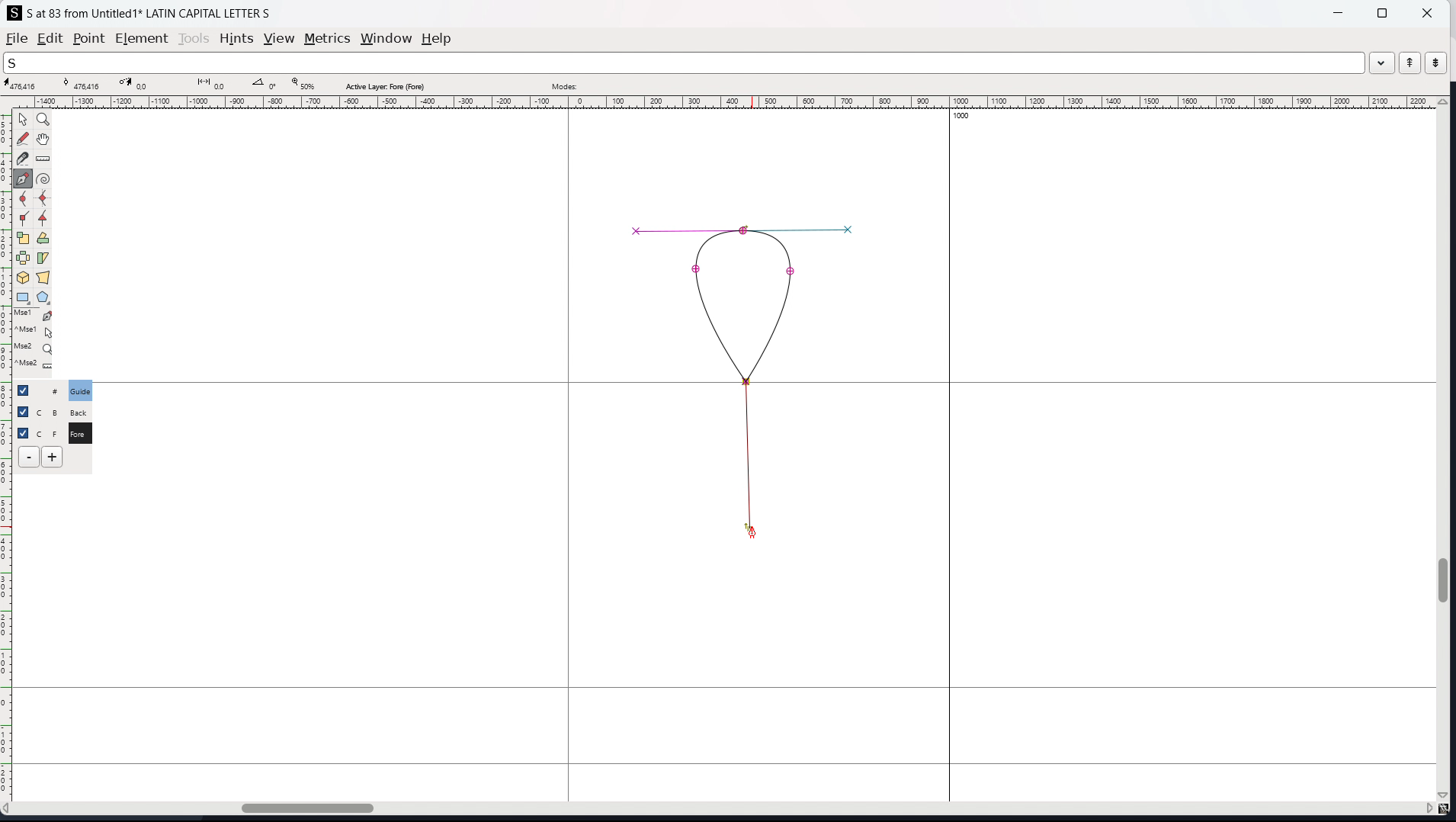  What do you see at coordinates (23, 159) in the screenshot?
I see `cut splines in two` at bounding box center [23, 159].